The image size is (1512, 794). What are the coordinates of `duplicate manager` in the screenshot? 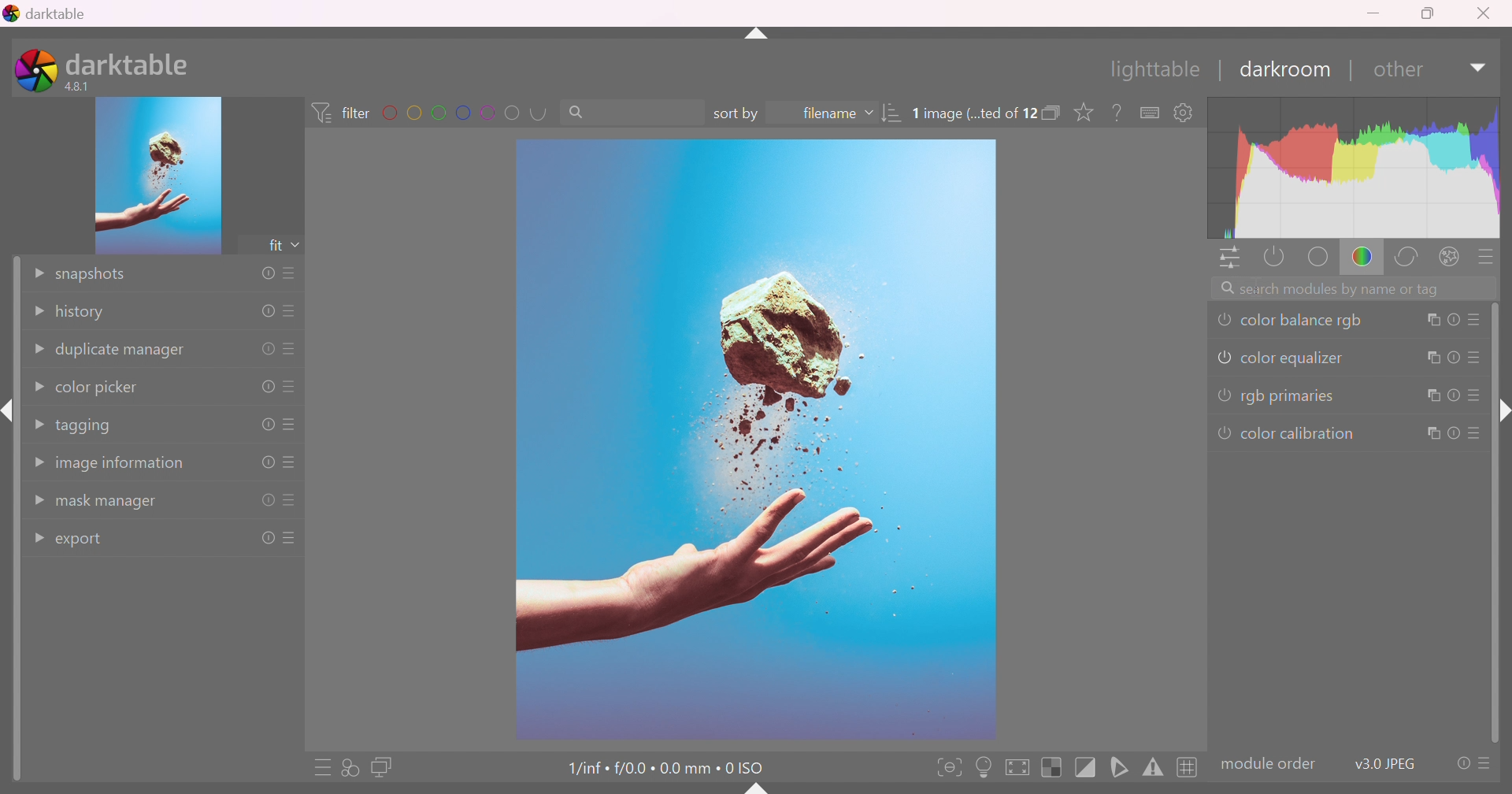 It's located at (126, 350).